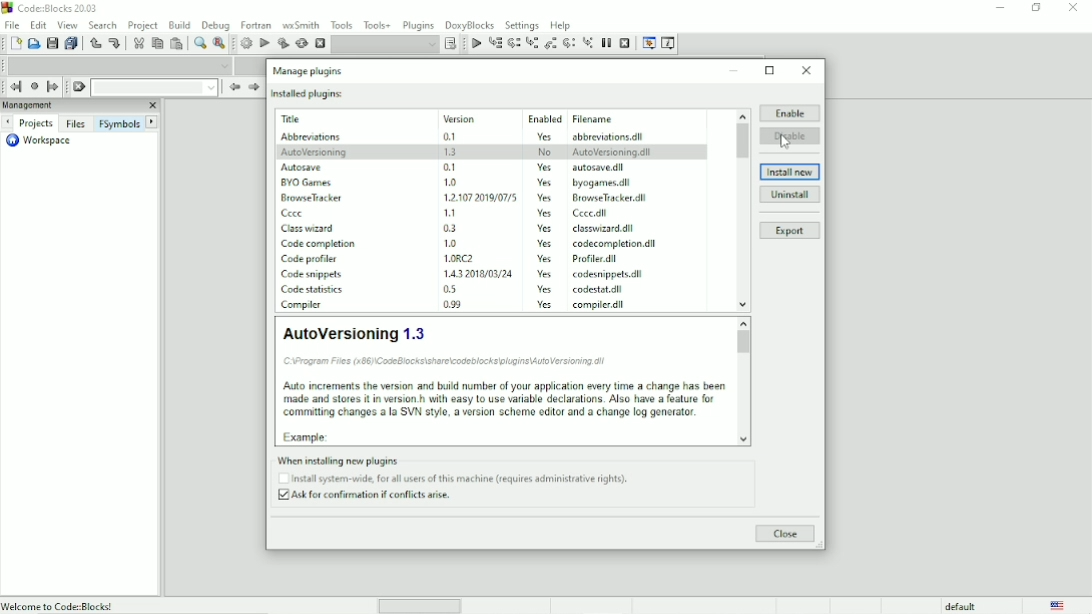  Describe the element at coordinates (544, 135) in the screenshot. I see `Yes` at that location.